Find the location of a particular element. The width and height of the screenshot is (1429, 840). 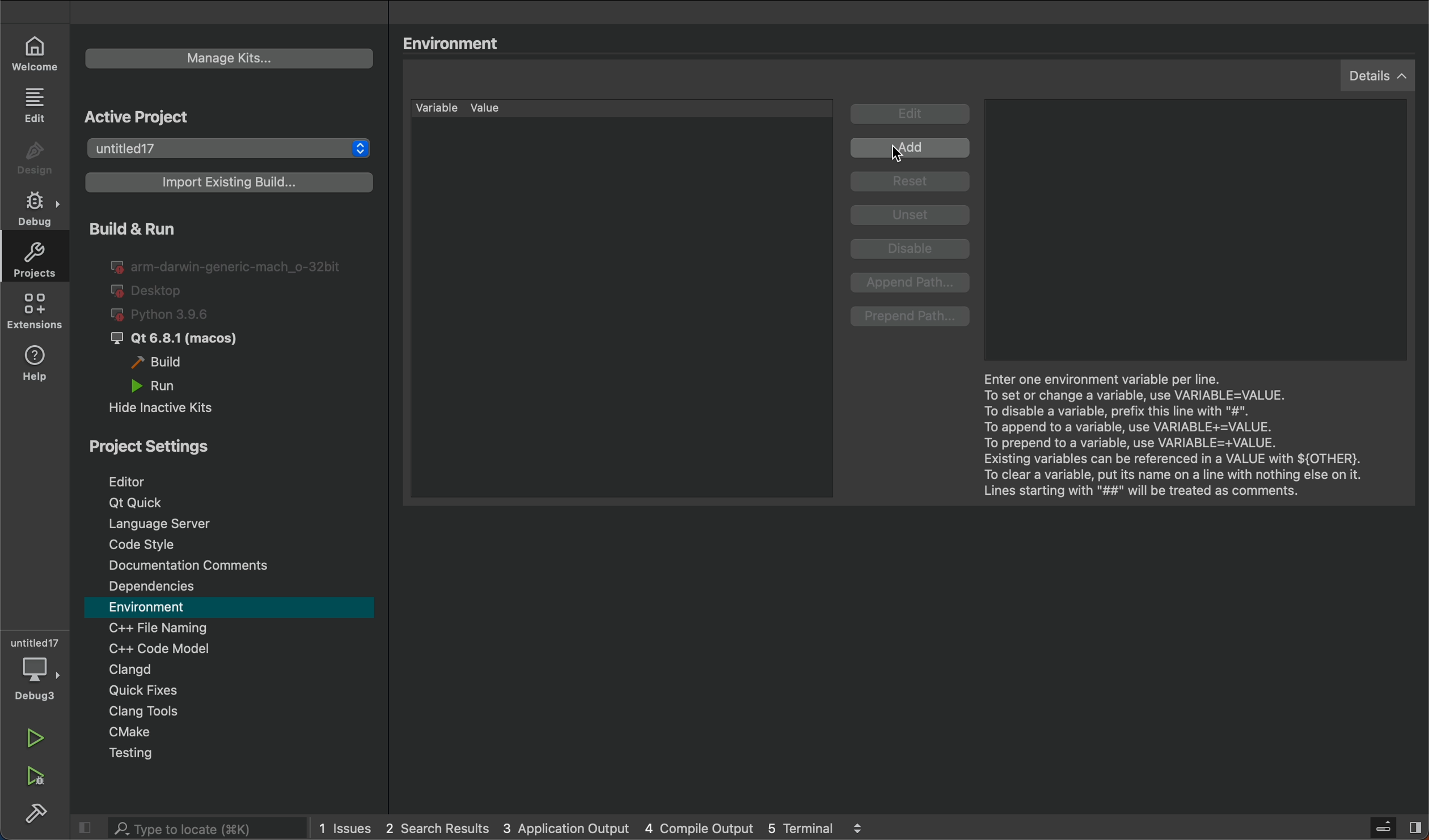

Add is located at coordinates (913, 149).